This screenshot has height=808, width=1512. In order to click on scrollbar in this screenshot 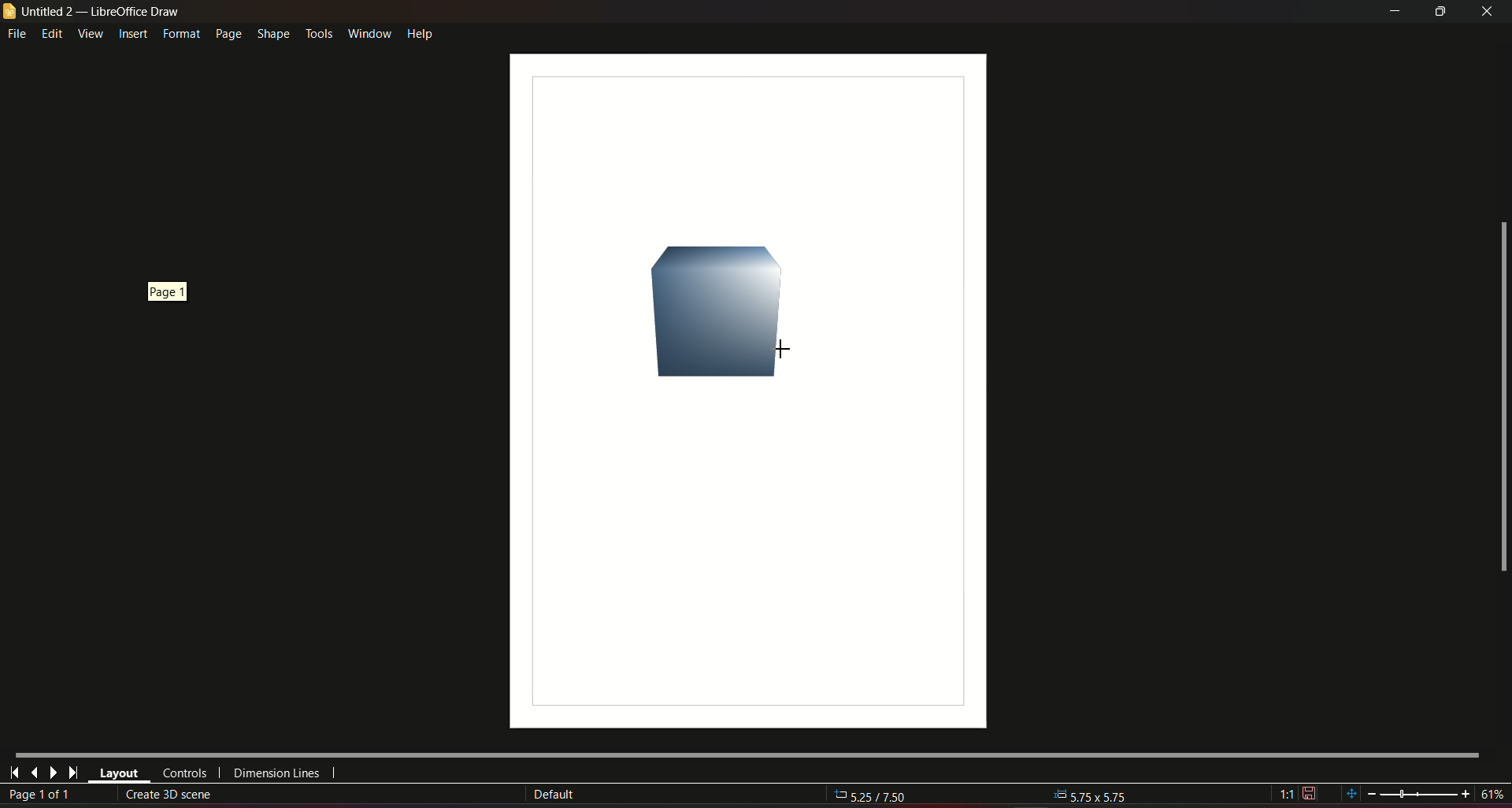, I will do `click(1502, 398)`.